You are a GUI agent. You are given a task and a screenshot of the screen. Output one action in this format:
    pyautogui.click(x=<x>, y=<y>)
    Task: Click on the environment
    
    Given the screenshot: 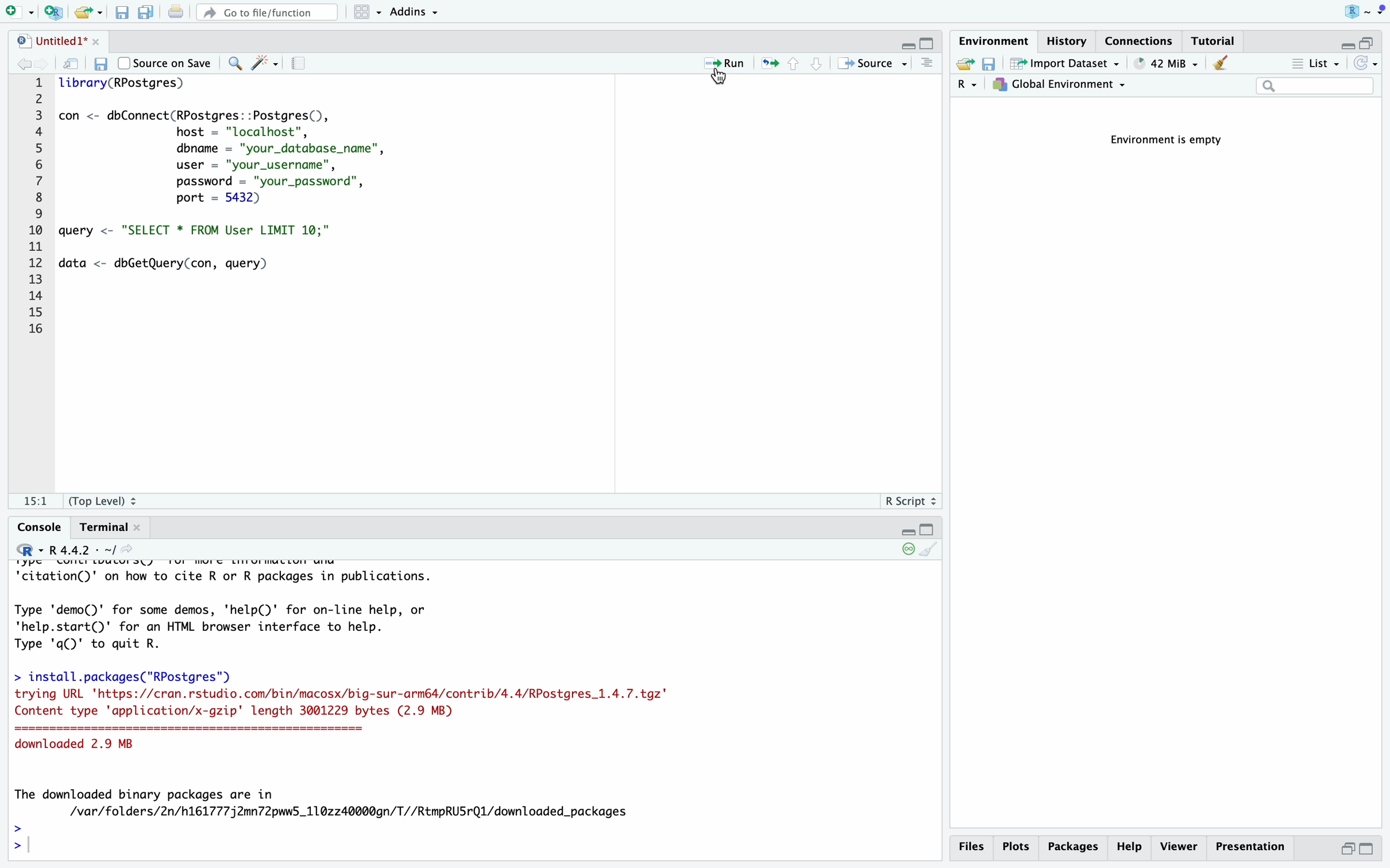 What is the action you would take?
    pyautogui.click(x=995, y=39)
    